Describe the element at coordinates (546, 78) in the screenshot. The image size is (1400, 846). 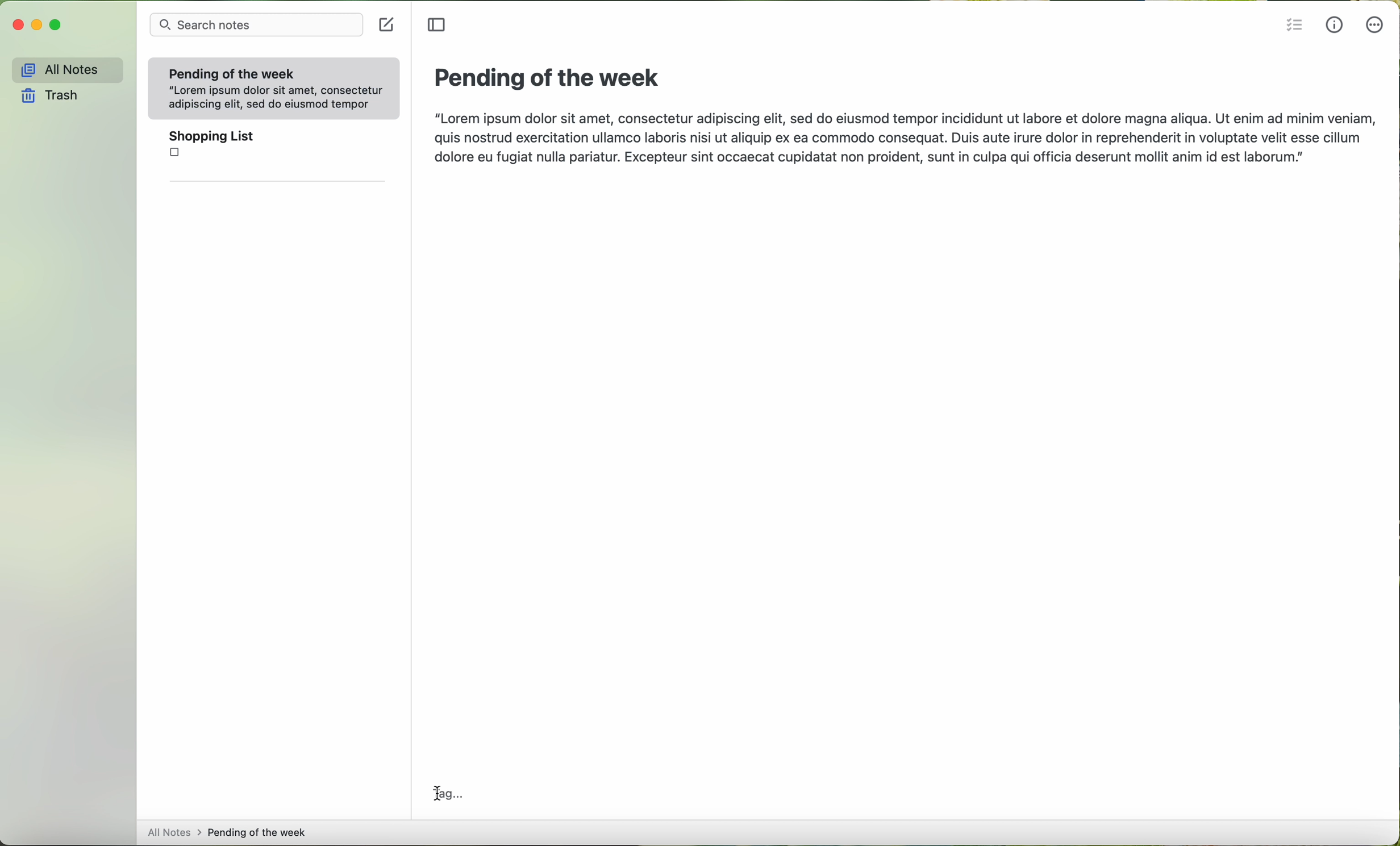
I see `pending of the week` at that location.